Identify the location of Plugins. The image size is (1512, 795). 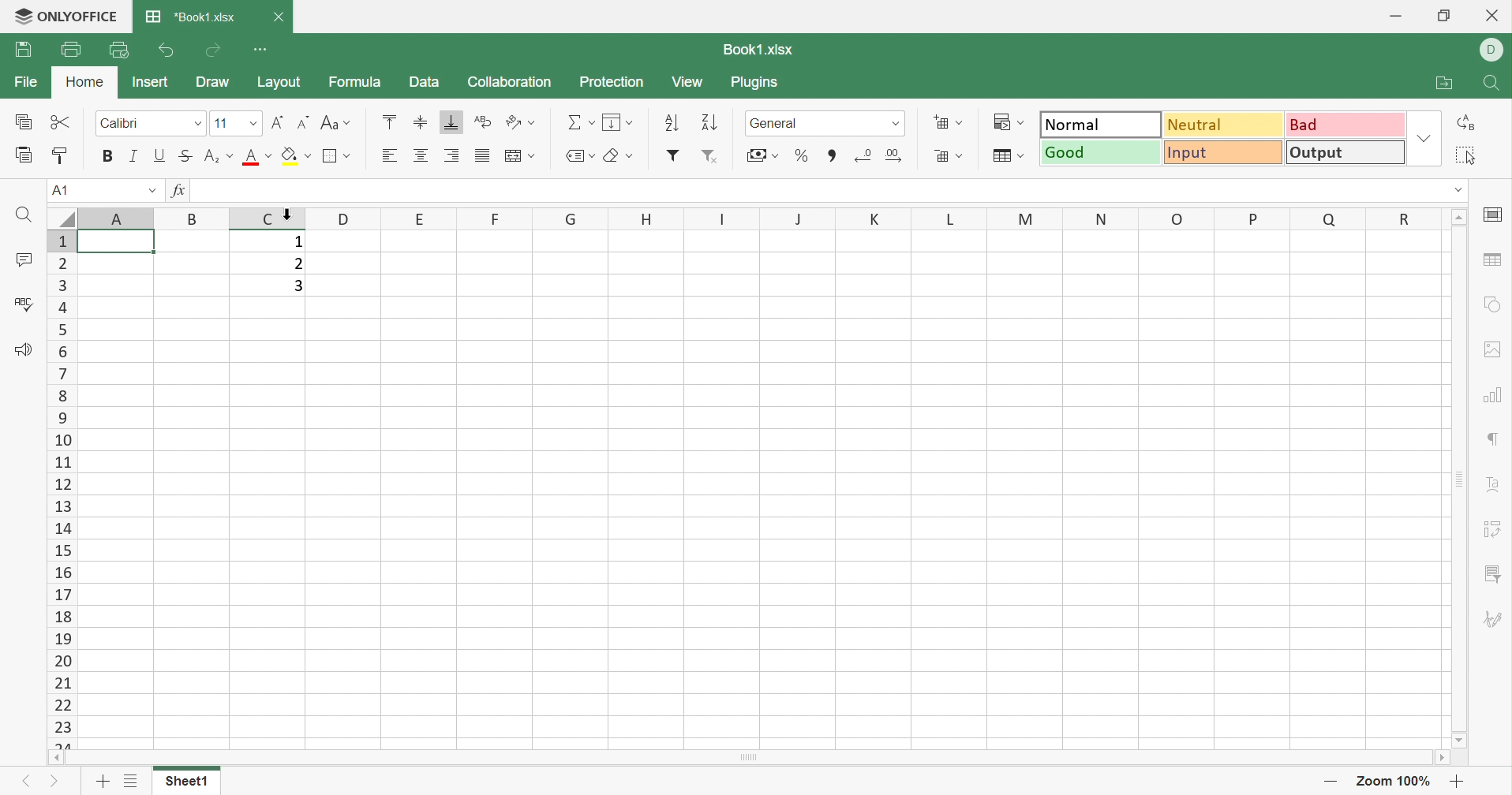
(757, 82).